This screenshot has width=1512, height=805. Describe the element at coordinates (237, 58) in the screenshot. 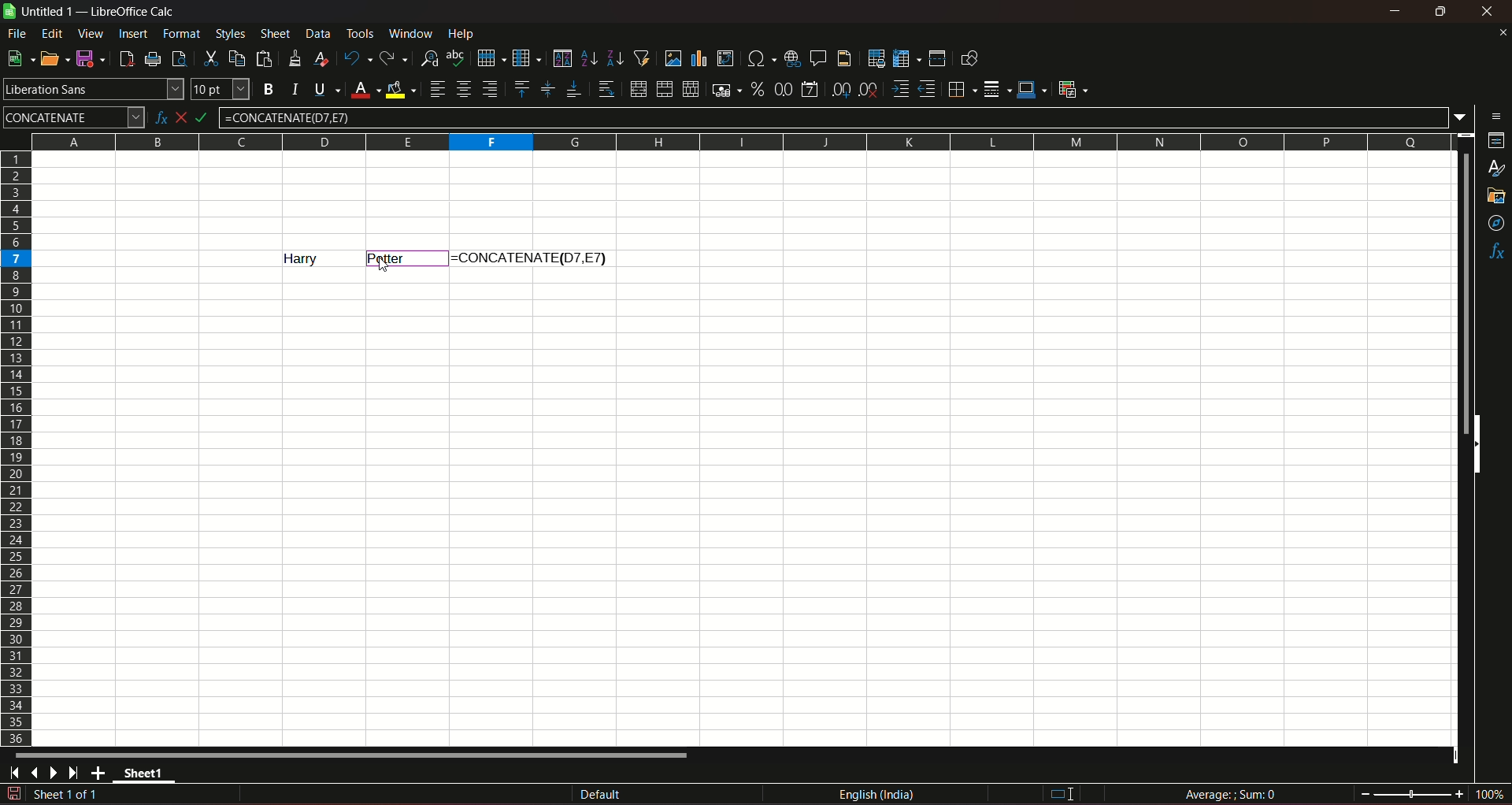

I see `copy` at that location.